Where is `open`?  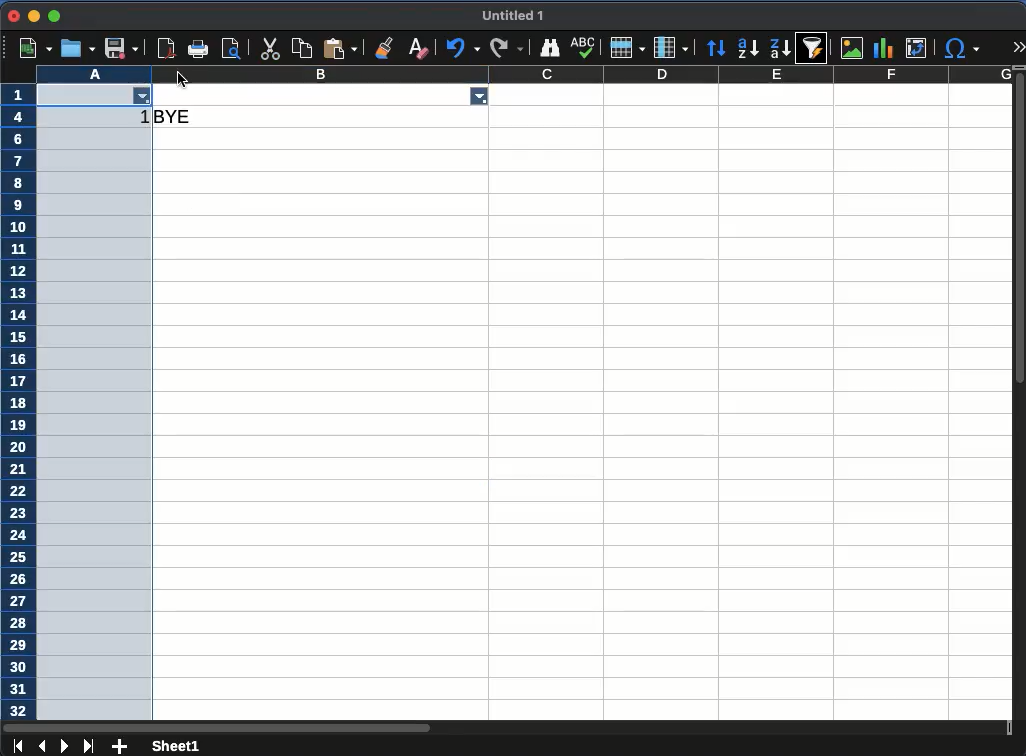 open is located at coordinates (78, 49).